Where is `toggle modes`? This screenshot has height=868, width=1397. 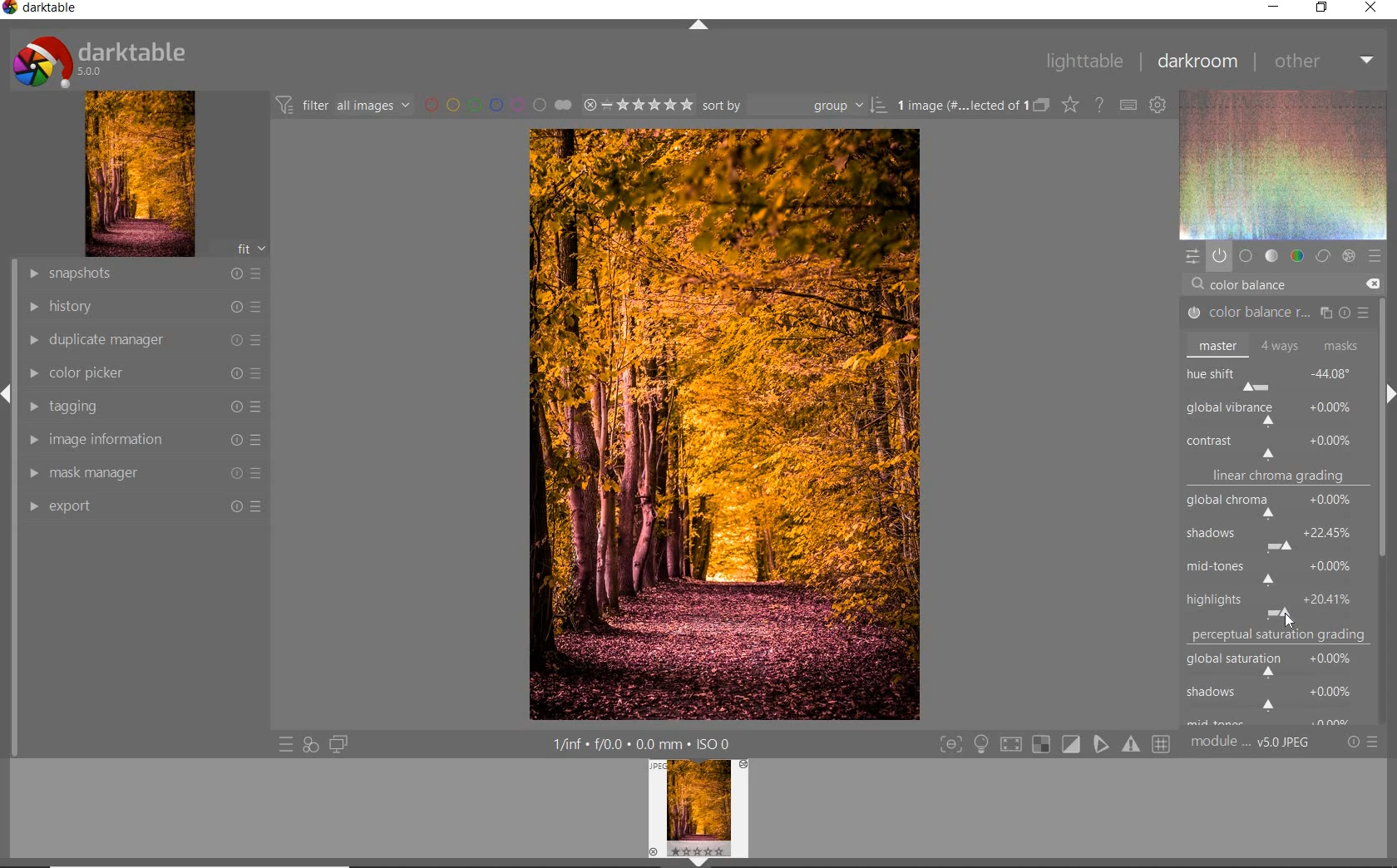
toggle modes is located at coordinates (1051, 744).